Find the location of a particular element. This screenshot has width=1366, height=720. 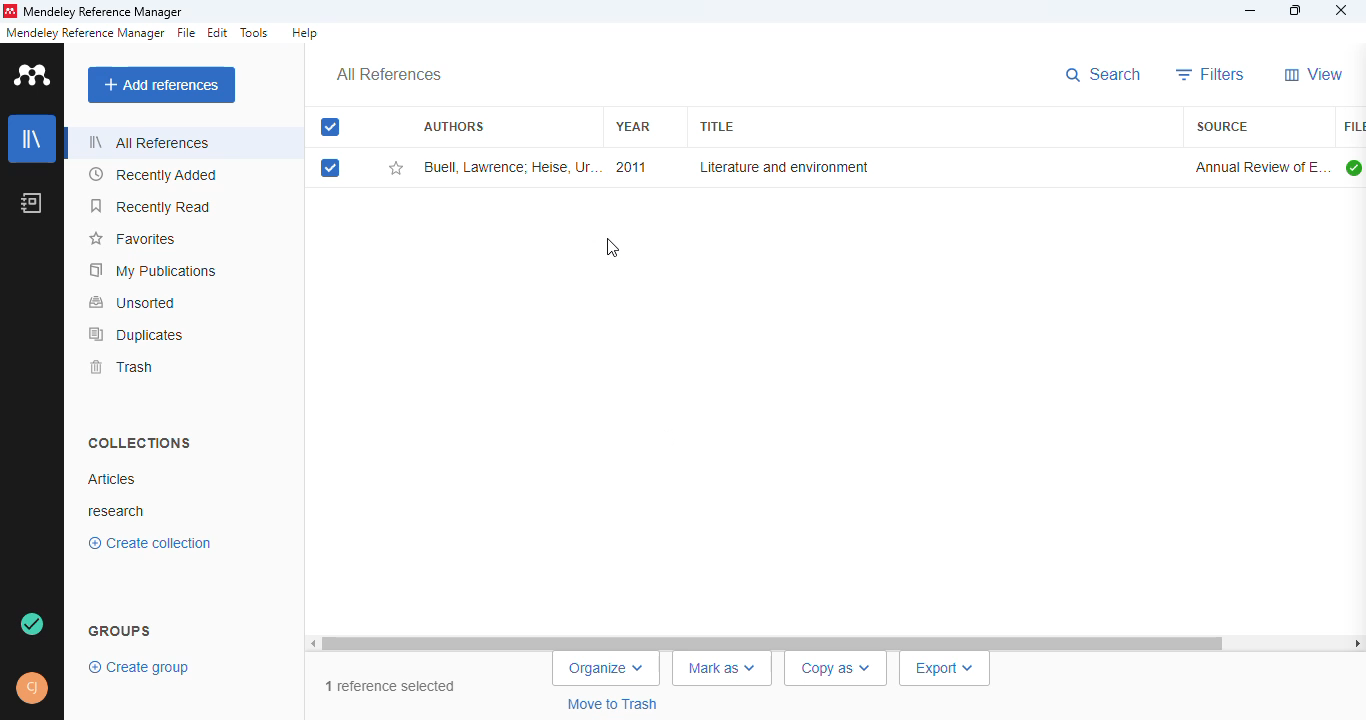

all references is located at coordinates (388, 75).